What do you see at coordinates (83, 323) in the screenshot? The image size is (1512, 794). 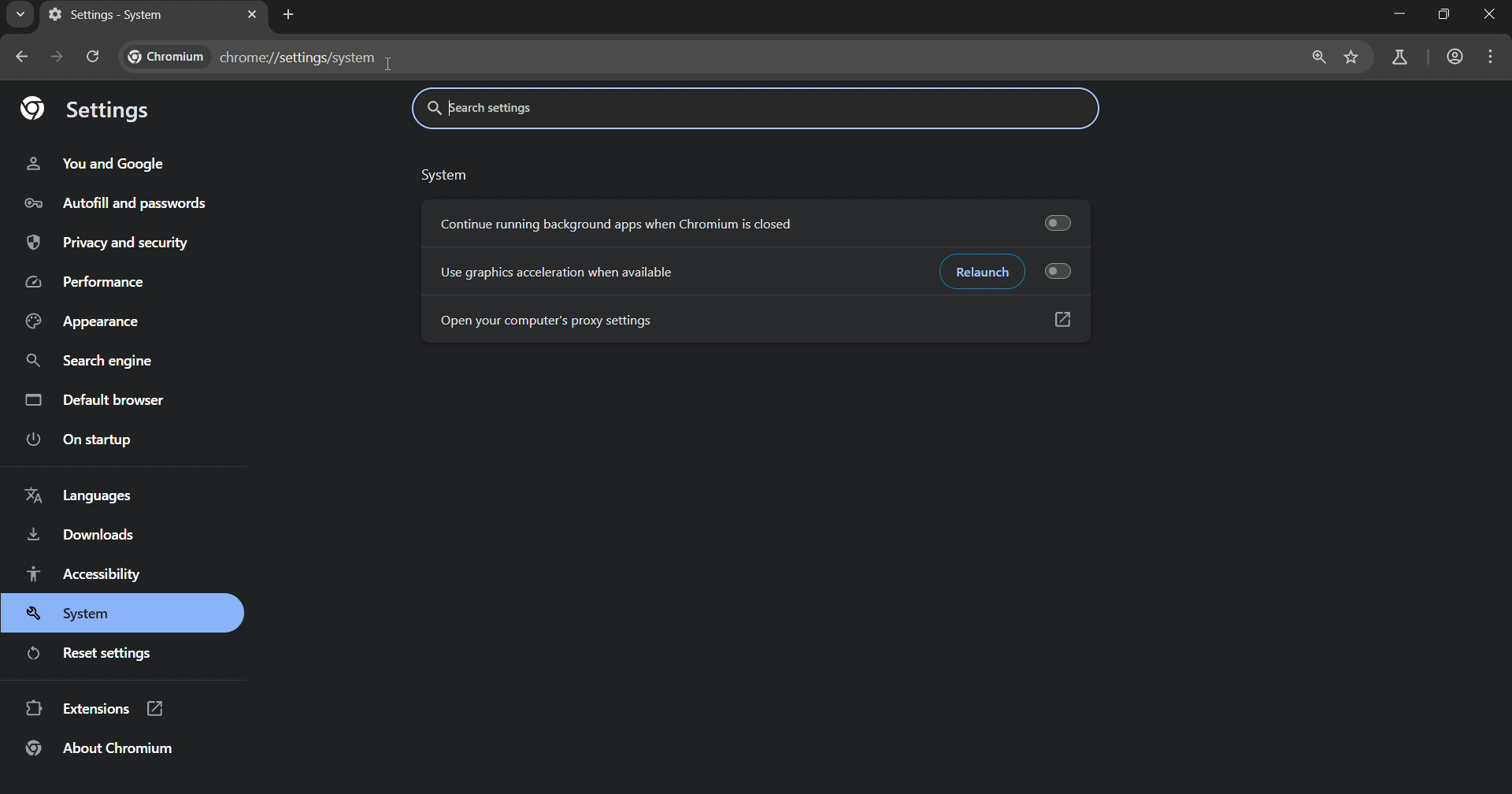 I see `appearance` at bounding box center [83, 323].